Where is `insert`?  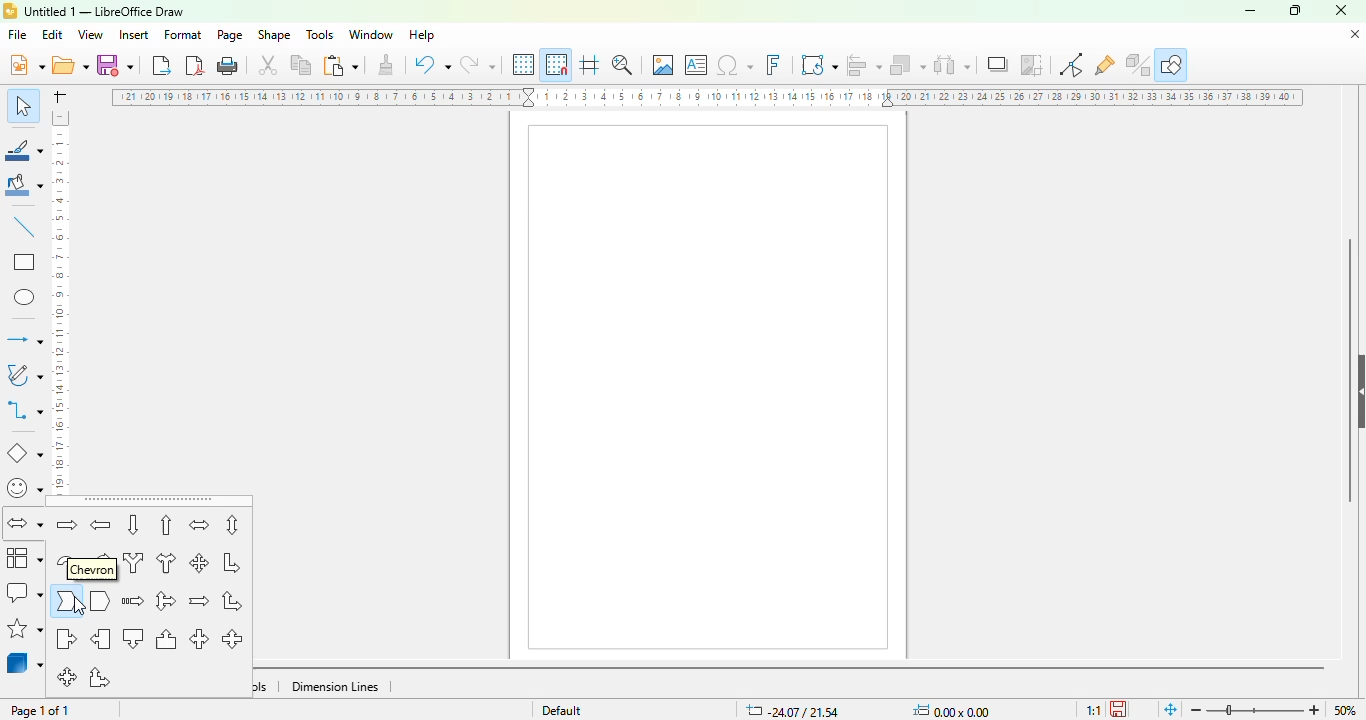
insert is located at coordinates (133, 35).